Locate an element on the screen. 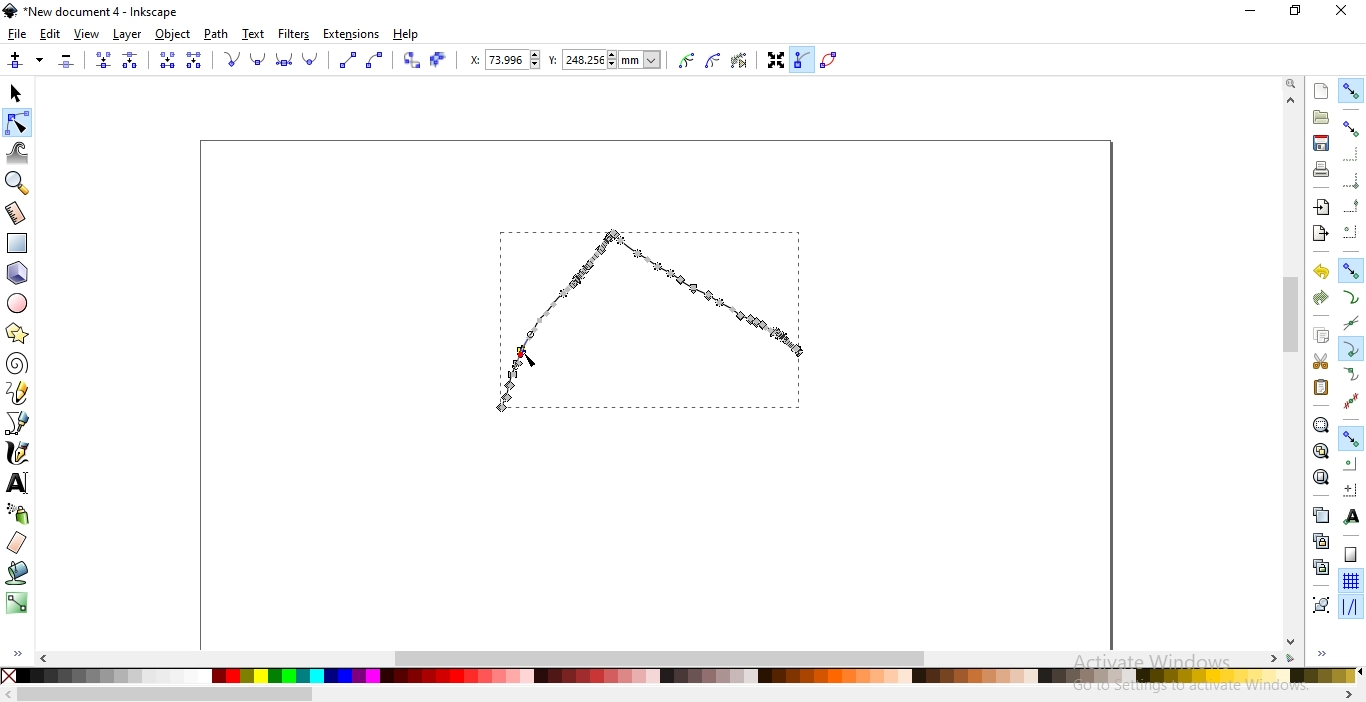 The image size is (1366, 702). create a document is located at coordinates (1322, 91).